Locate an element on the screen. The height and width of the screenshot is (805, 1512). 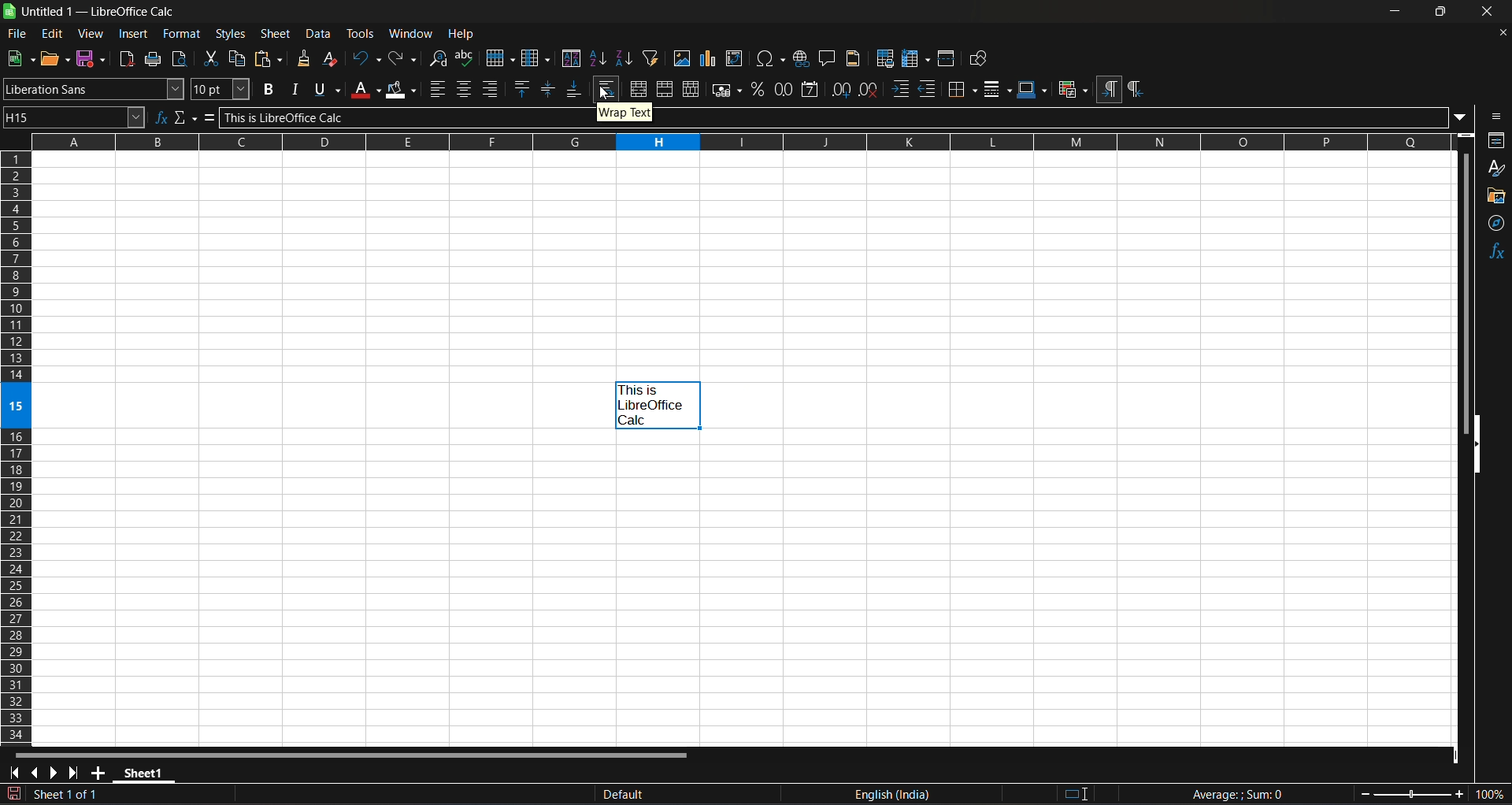
clone formatting is located at coordinates (304, 57).